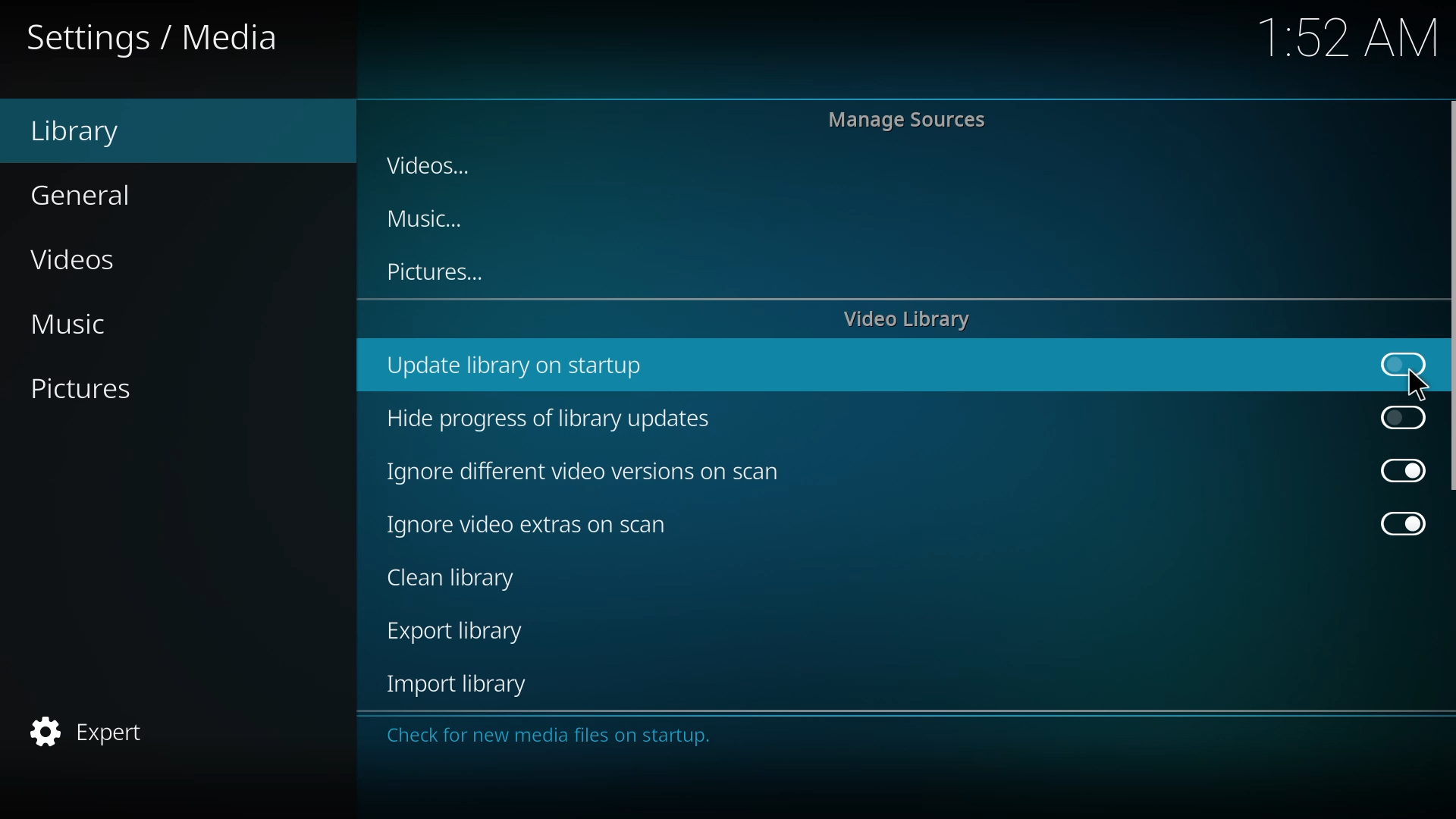 The image size is (1456, 819). Describe the element at coordinates (82, 324) in the screenshot. I see `music` at that location.